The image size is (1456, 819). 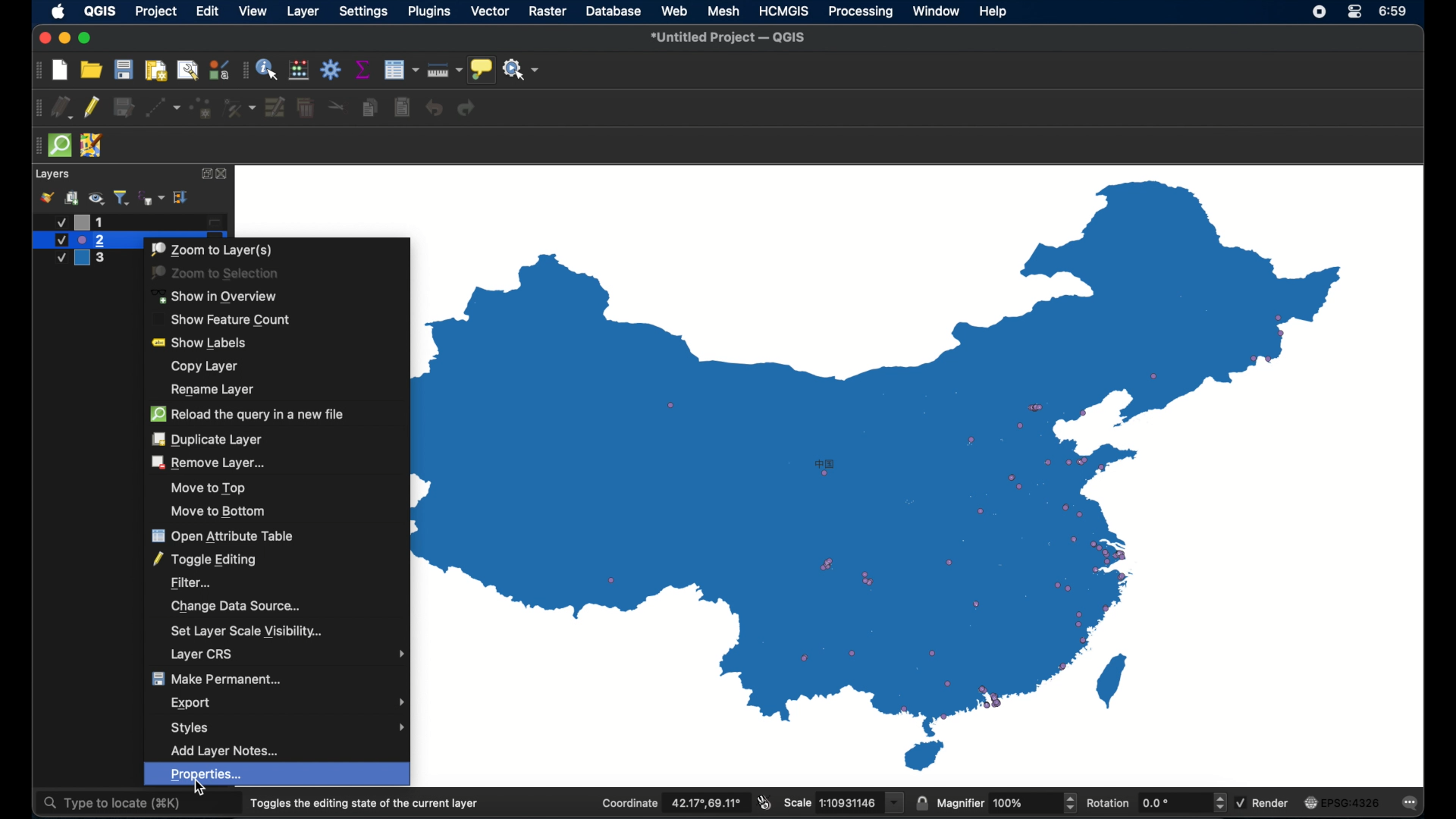 What do you see at coordinates (338, 105) in the screenshot?
I see `cut` at bounding box center [338, 105].